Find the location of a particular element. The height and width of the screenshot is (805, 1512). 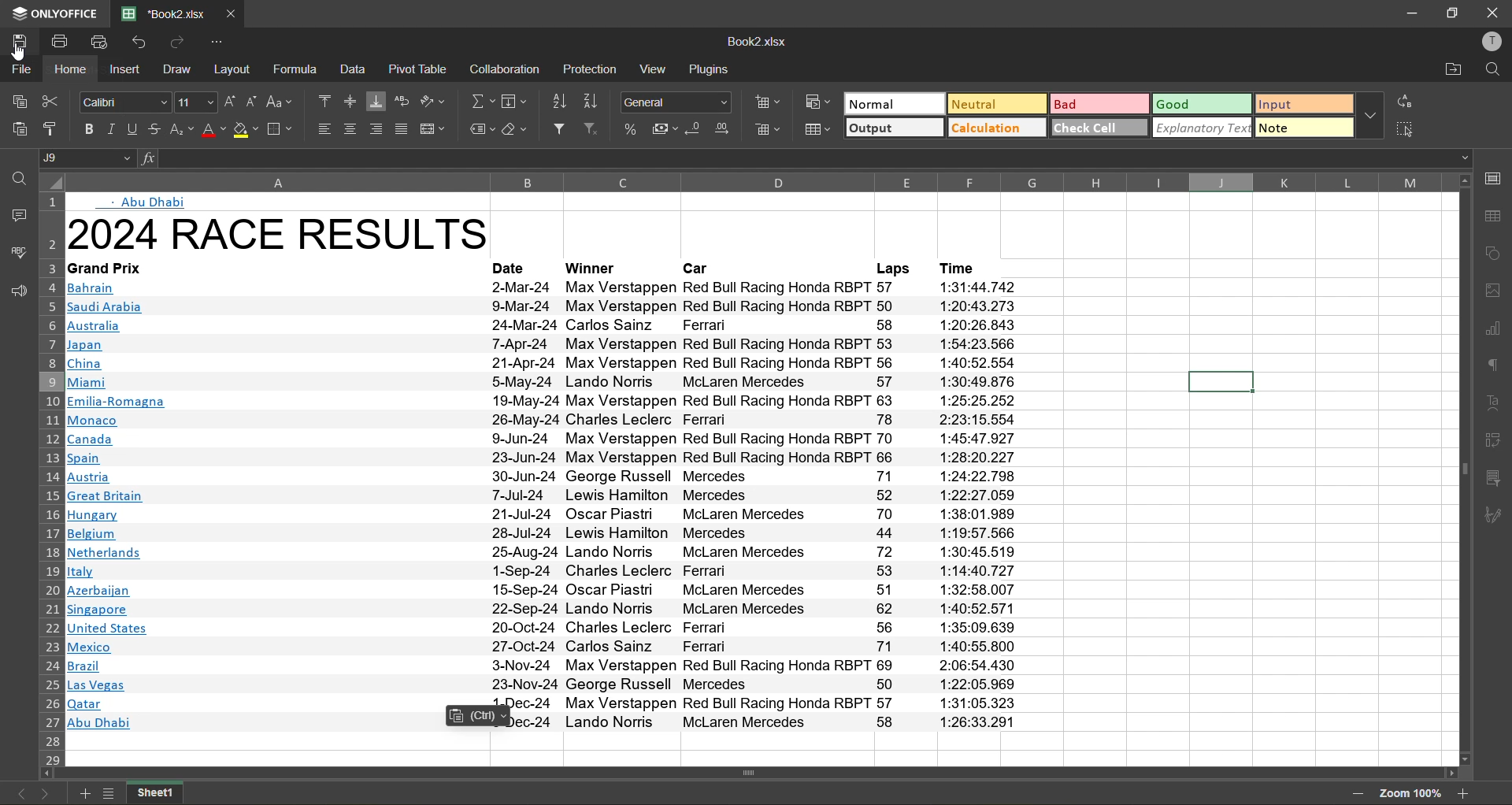

text info is located at coordinates (545, 345).